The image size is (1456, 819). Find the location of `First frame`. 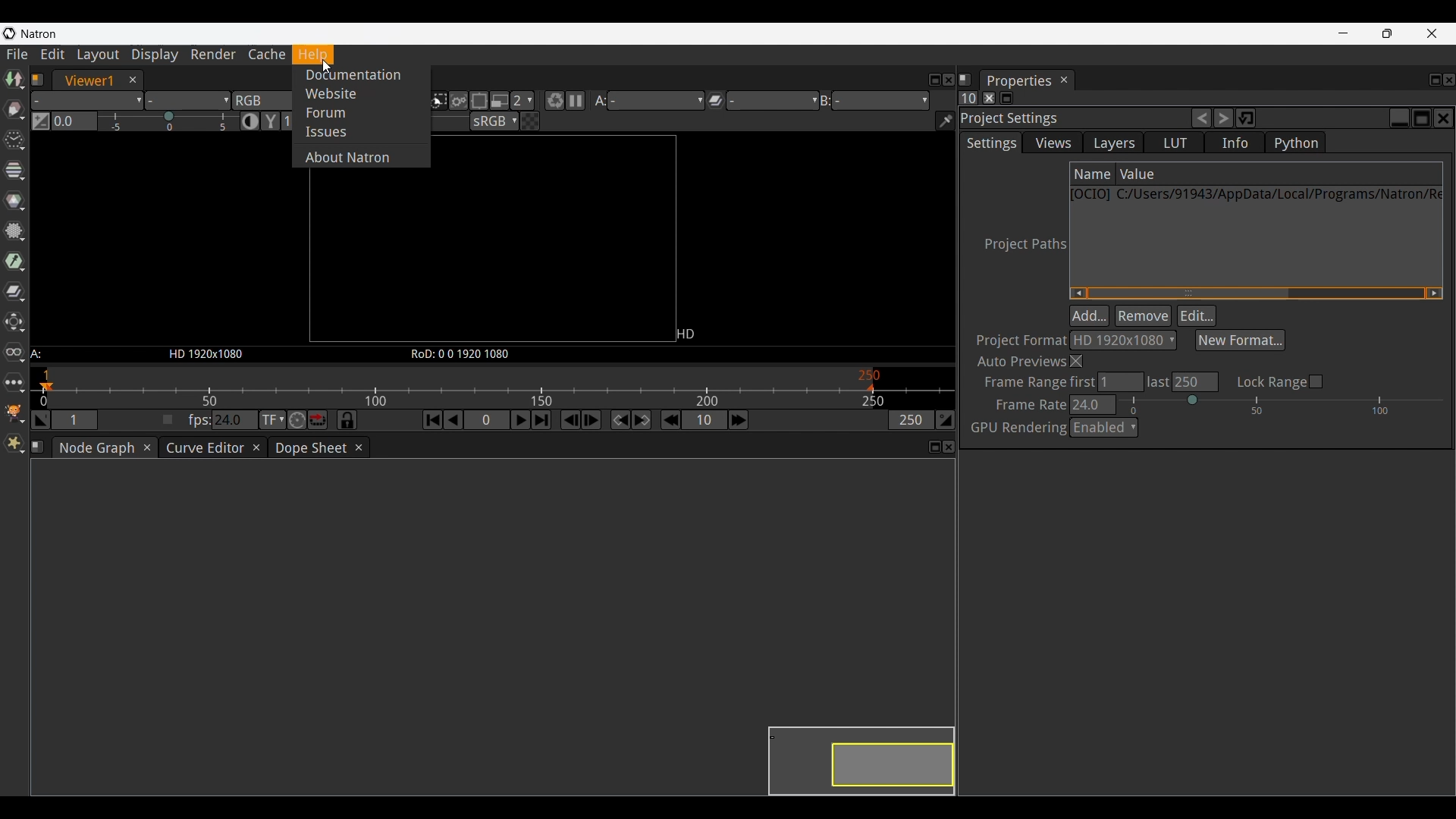

First frame is located at coordinates (433, 419).